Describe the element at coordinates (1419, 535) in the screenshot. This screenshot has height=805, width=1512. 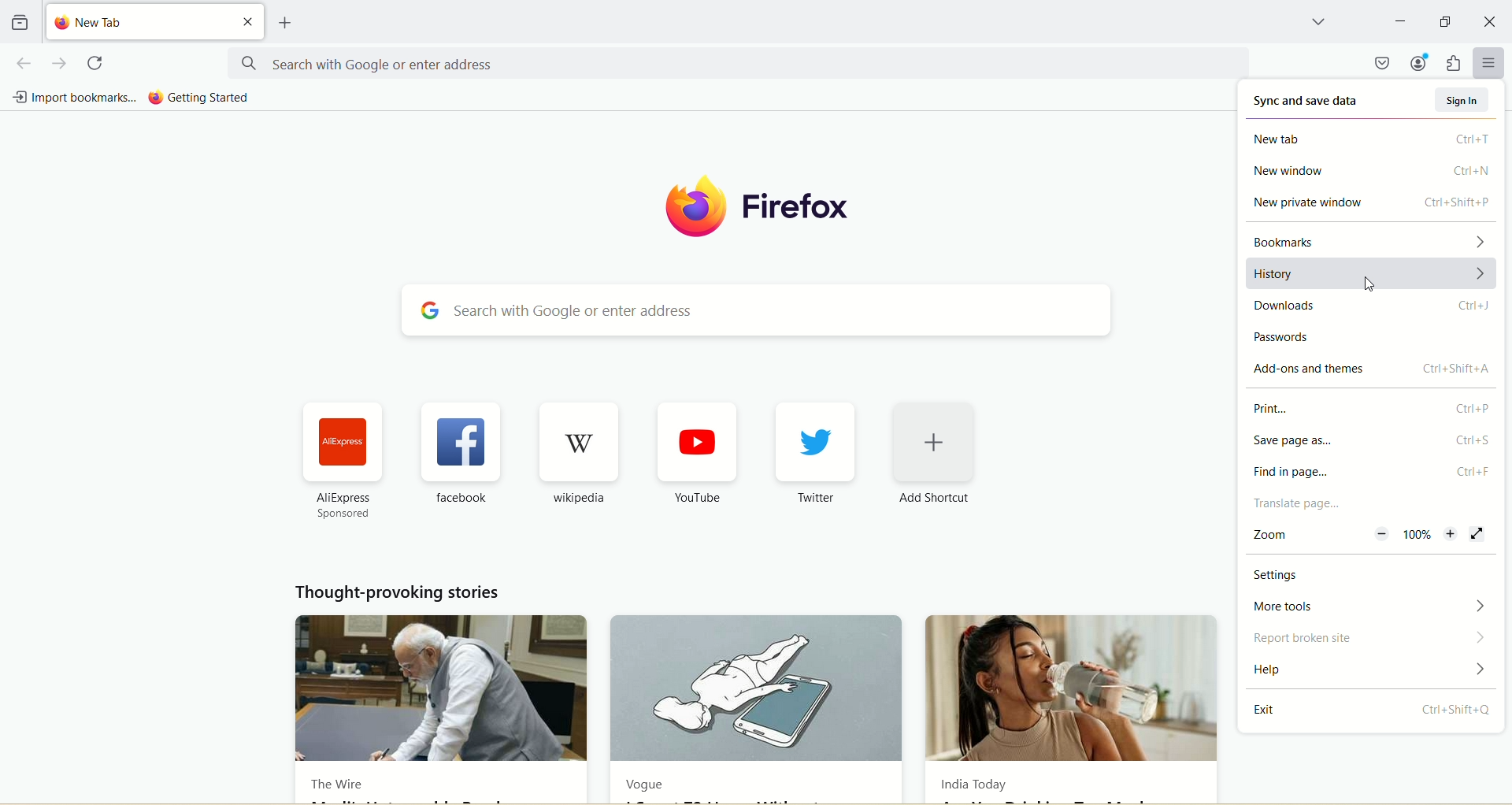
I see `zoom percent` at that location.